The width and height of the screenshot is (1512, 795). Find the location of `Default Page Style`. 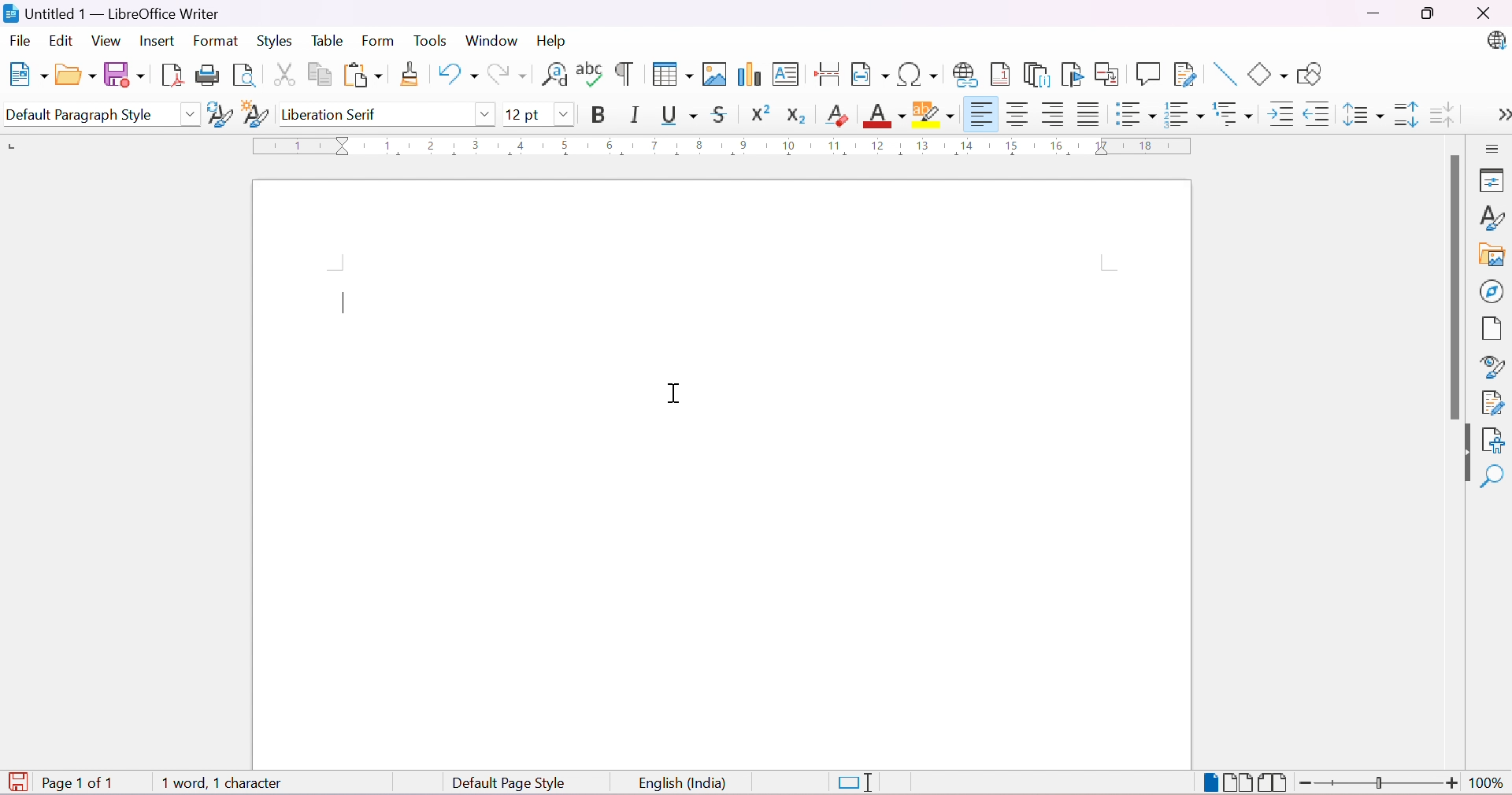

Default Page Style is located at coordinates (510, 784).